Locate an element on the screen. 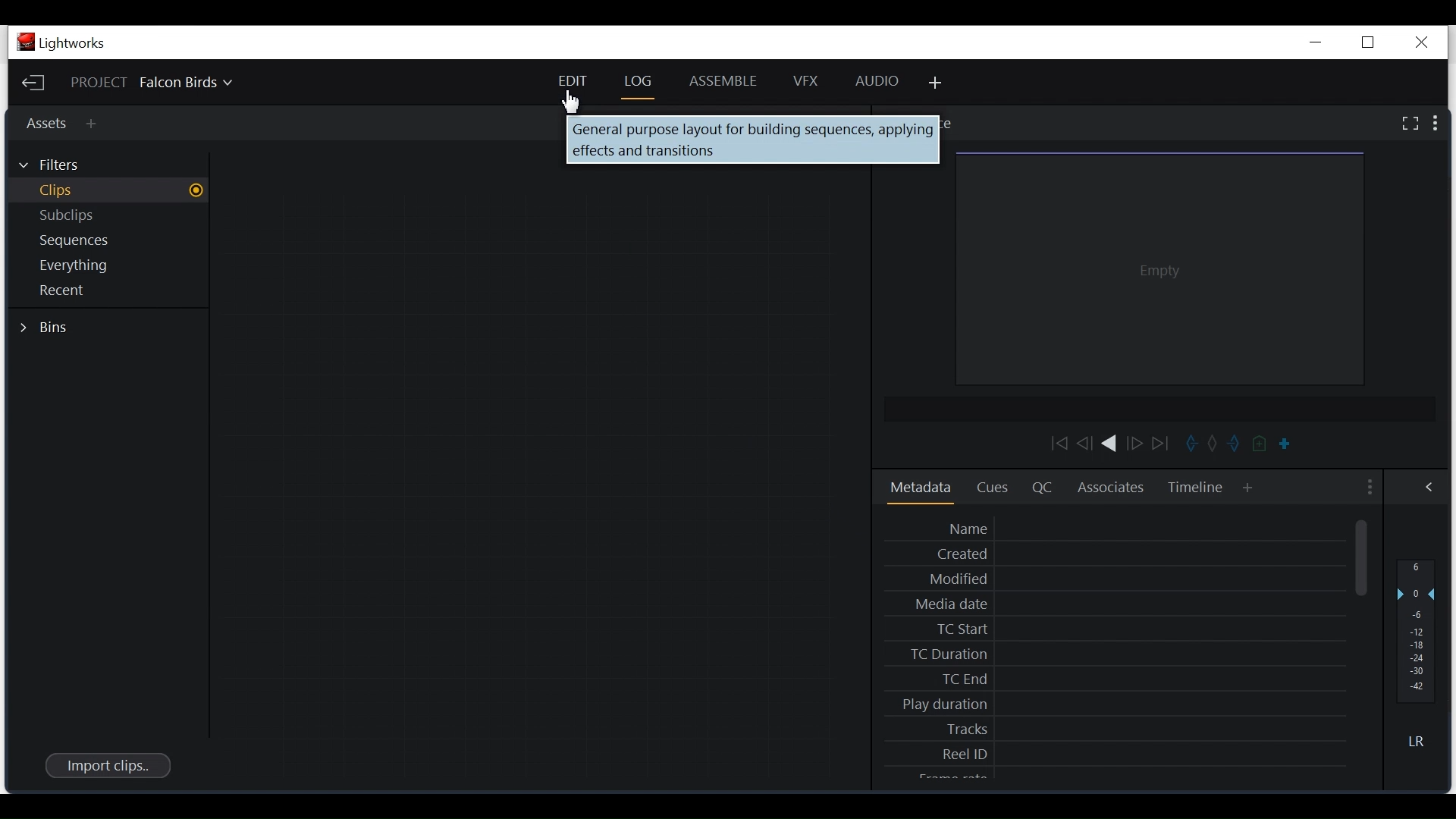  TC End is located at coordinates (1120, 678).